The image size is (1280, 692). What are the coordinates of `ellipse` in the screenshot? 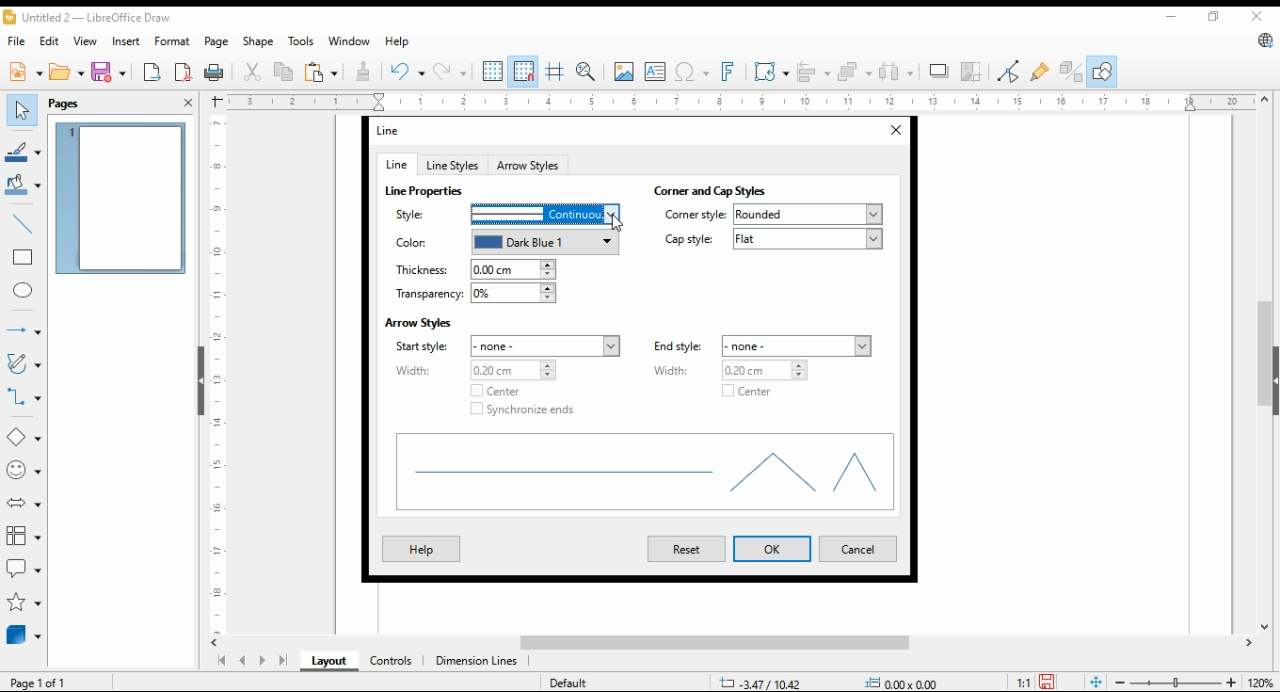 It's located at (24, 291).